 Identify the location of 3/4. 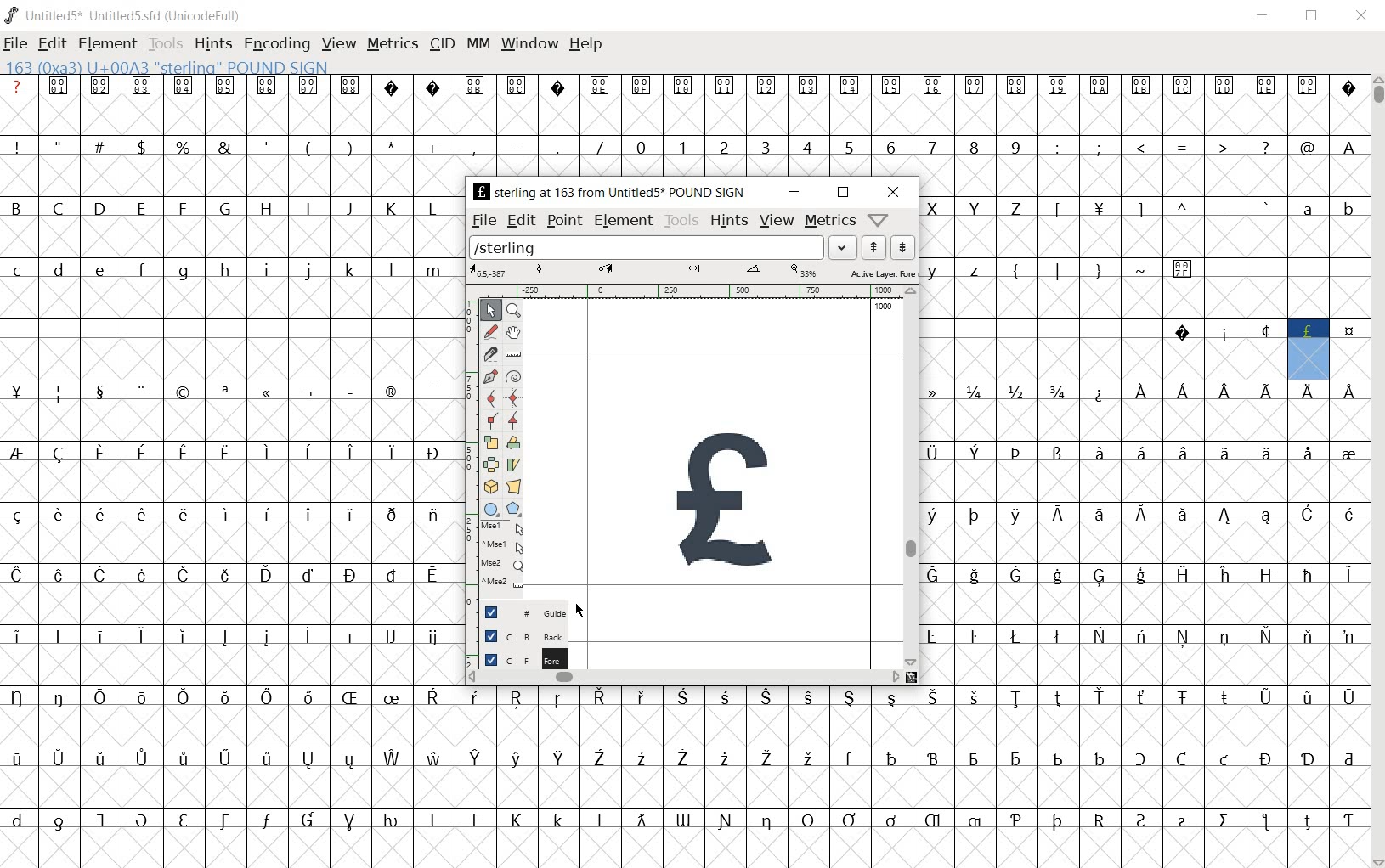
(1055, 392).